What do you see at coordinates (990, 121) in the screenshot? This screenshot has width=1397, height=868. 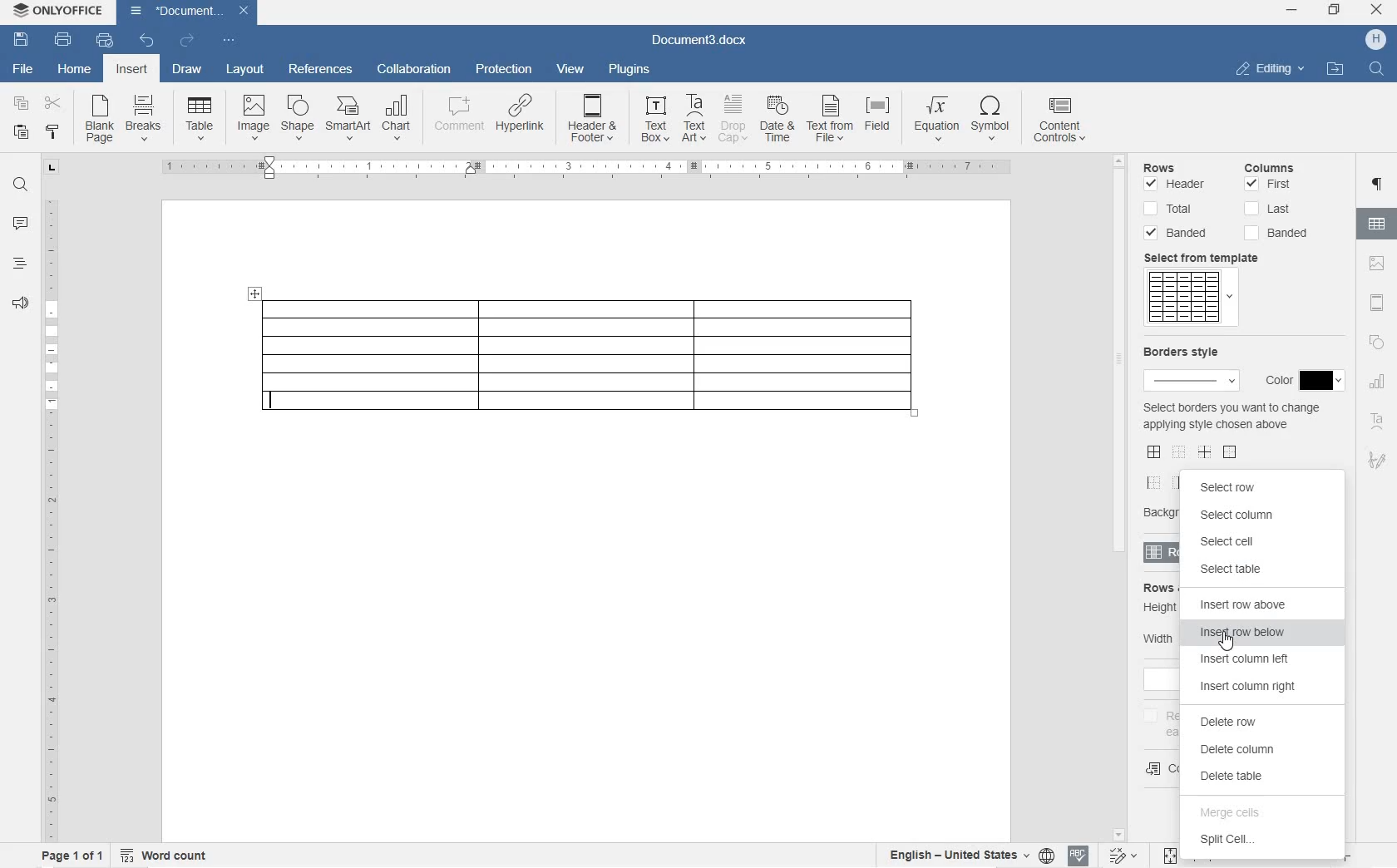 I see `SYMBOL` at bounding box center [990, 121].